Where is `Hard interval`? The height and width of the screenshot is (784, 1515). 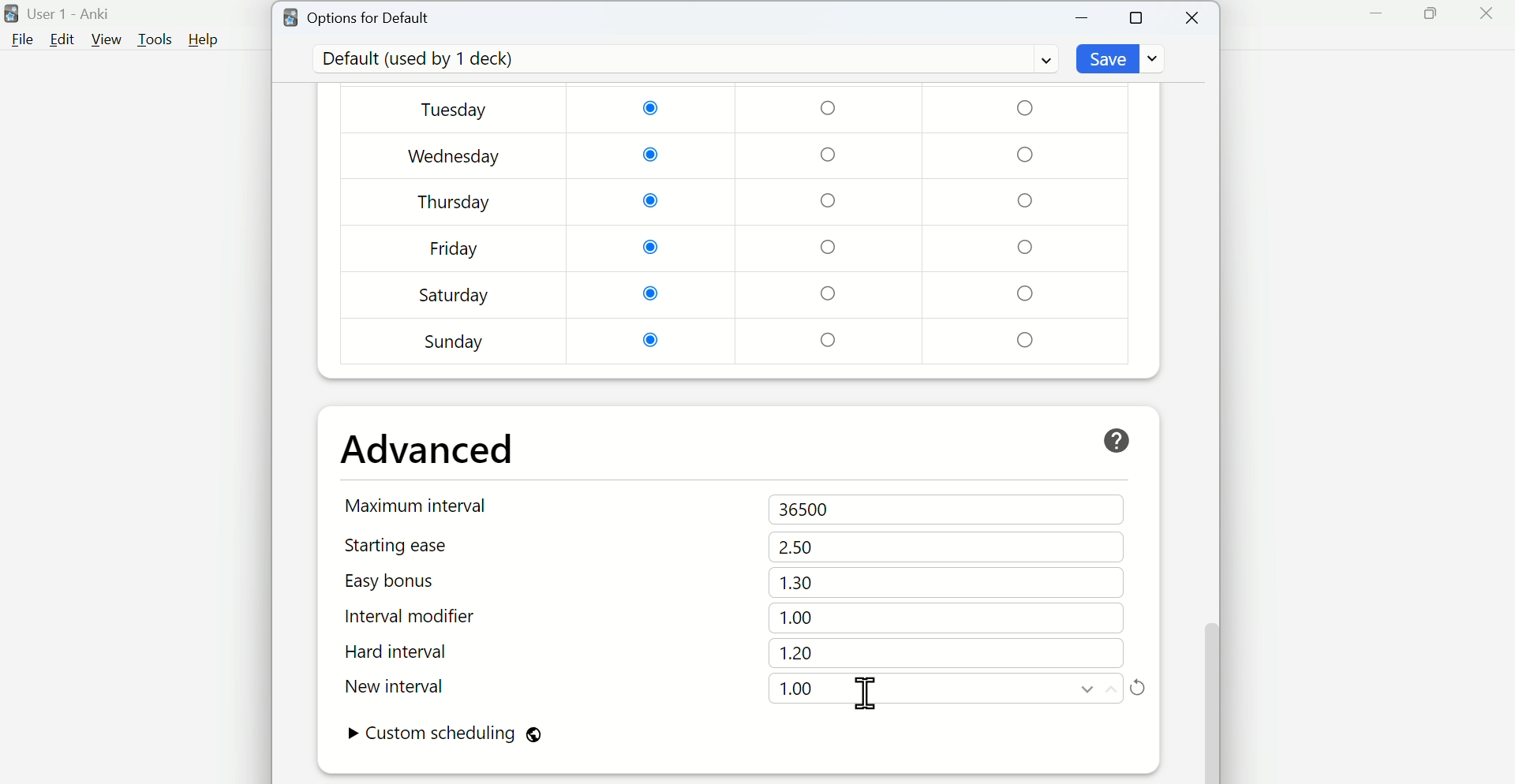 Hard interval is located at coordinates (416, 654).